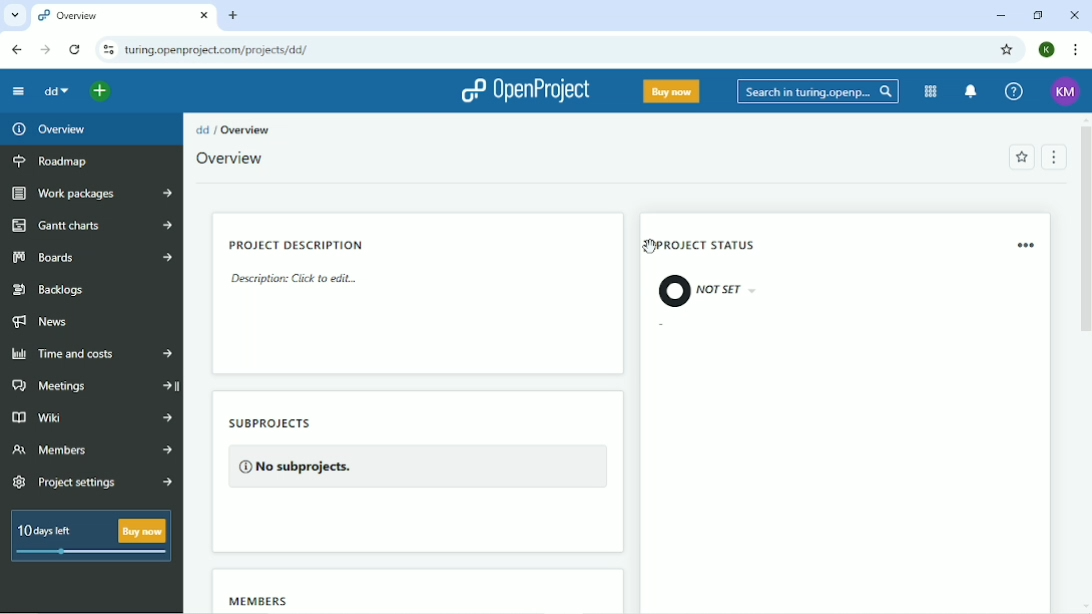 The image size is (1092, 614). I want to click on 10 days left, so click(89, 538).